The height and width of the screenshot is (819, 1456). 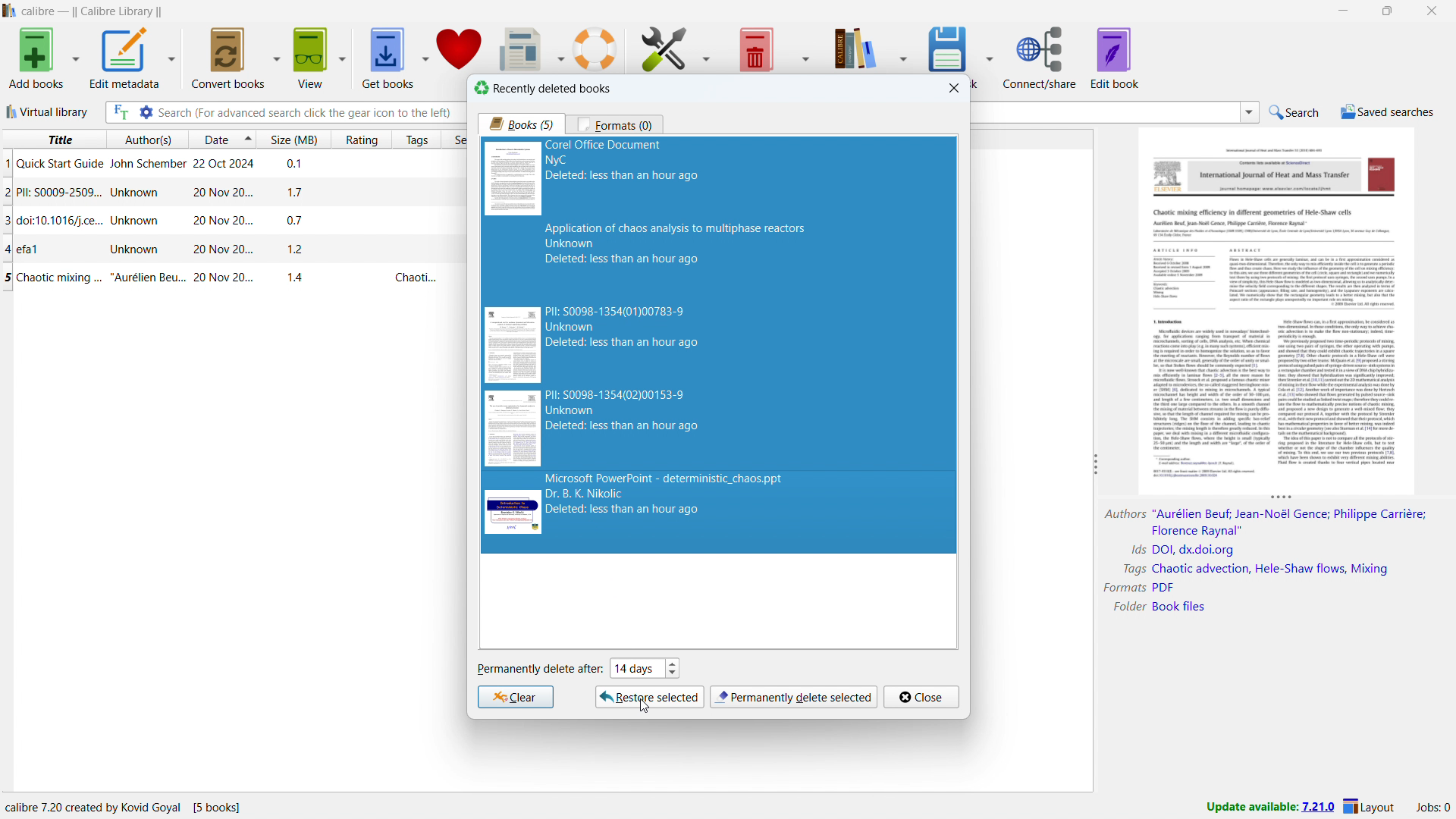 What do you see at coordinates (227, 193) in the screenshot?
I see `single book entry` at bounding box center [227, 193].